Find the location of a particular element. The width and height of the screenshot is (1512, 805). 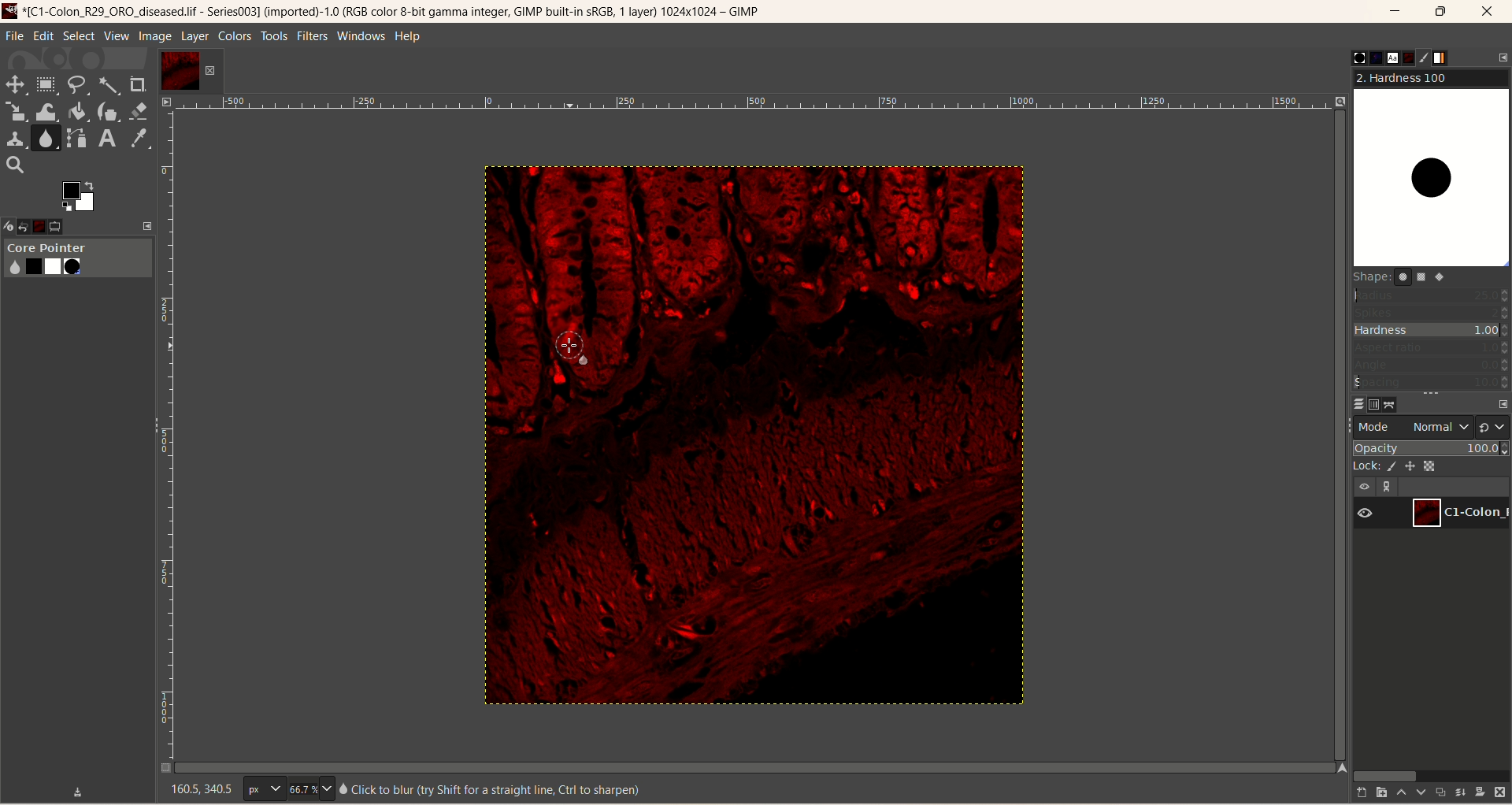

fuzzy select is located at coordinates (107, 87).